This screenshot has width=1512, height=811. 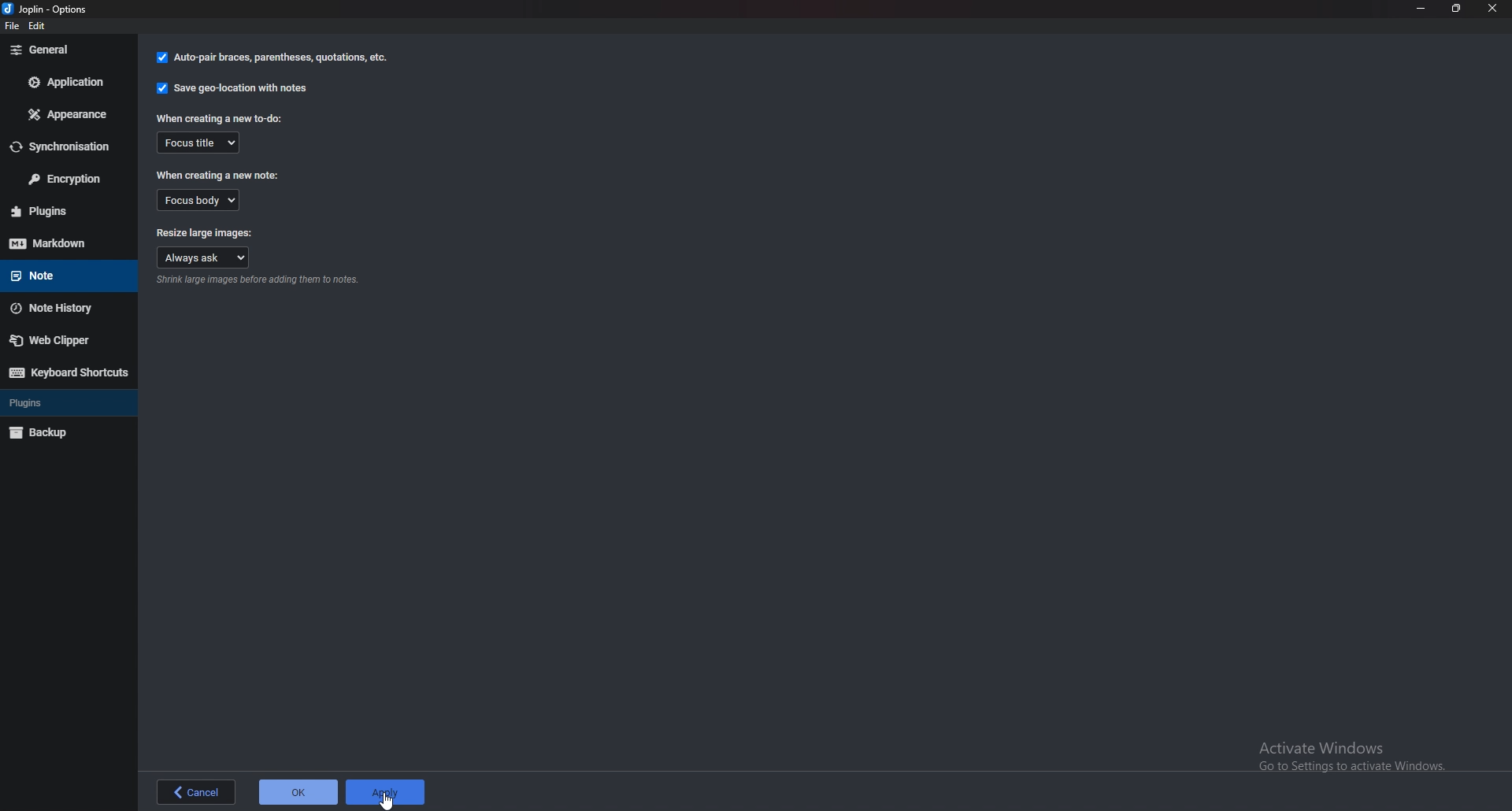 I want to click on Resize large images, so click(x=220, y=233).